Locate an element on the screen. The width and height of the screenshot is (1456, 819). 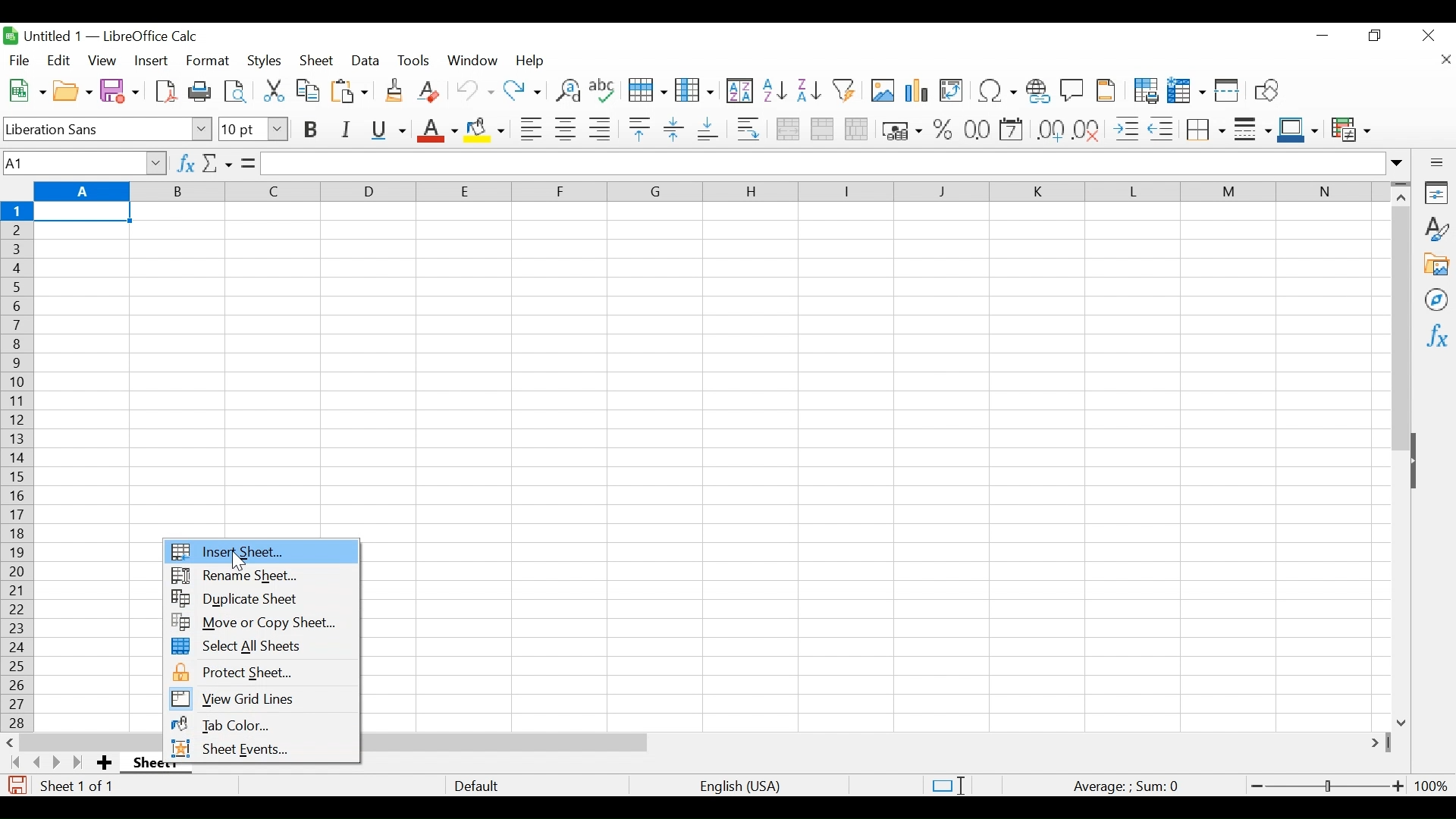
Scroll to the last page is located at coordinates (81, 762).